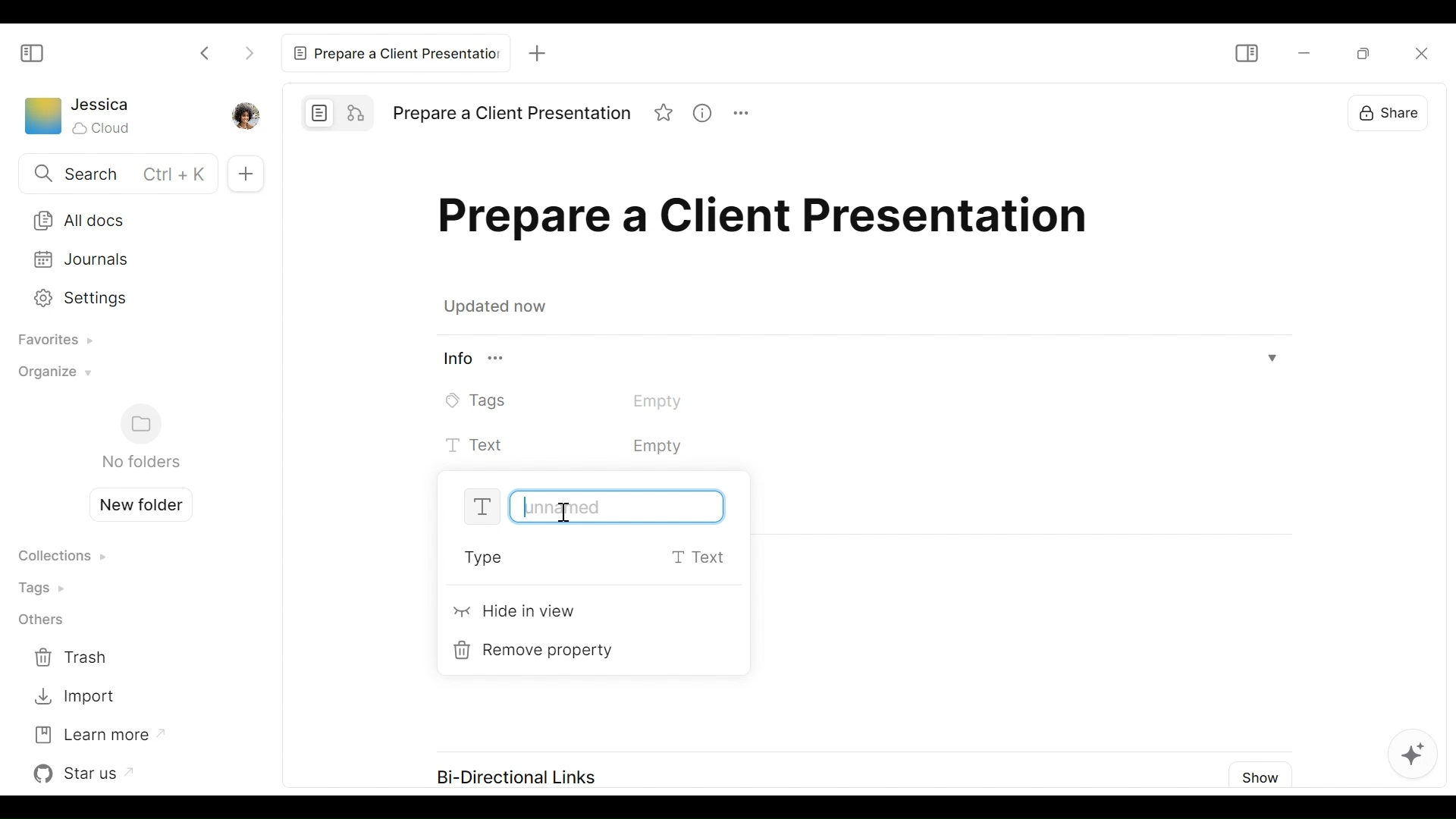 The image size is (1456, 819). Describe the element at coordinates (563, 513) in the screenshot. I see `Insertion Cursor` at that location.